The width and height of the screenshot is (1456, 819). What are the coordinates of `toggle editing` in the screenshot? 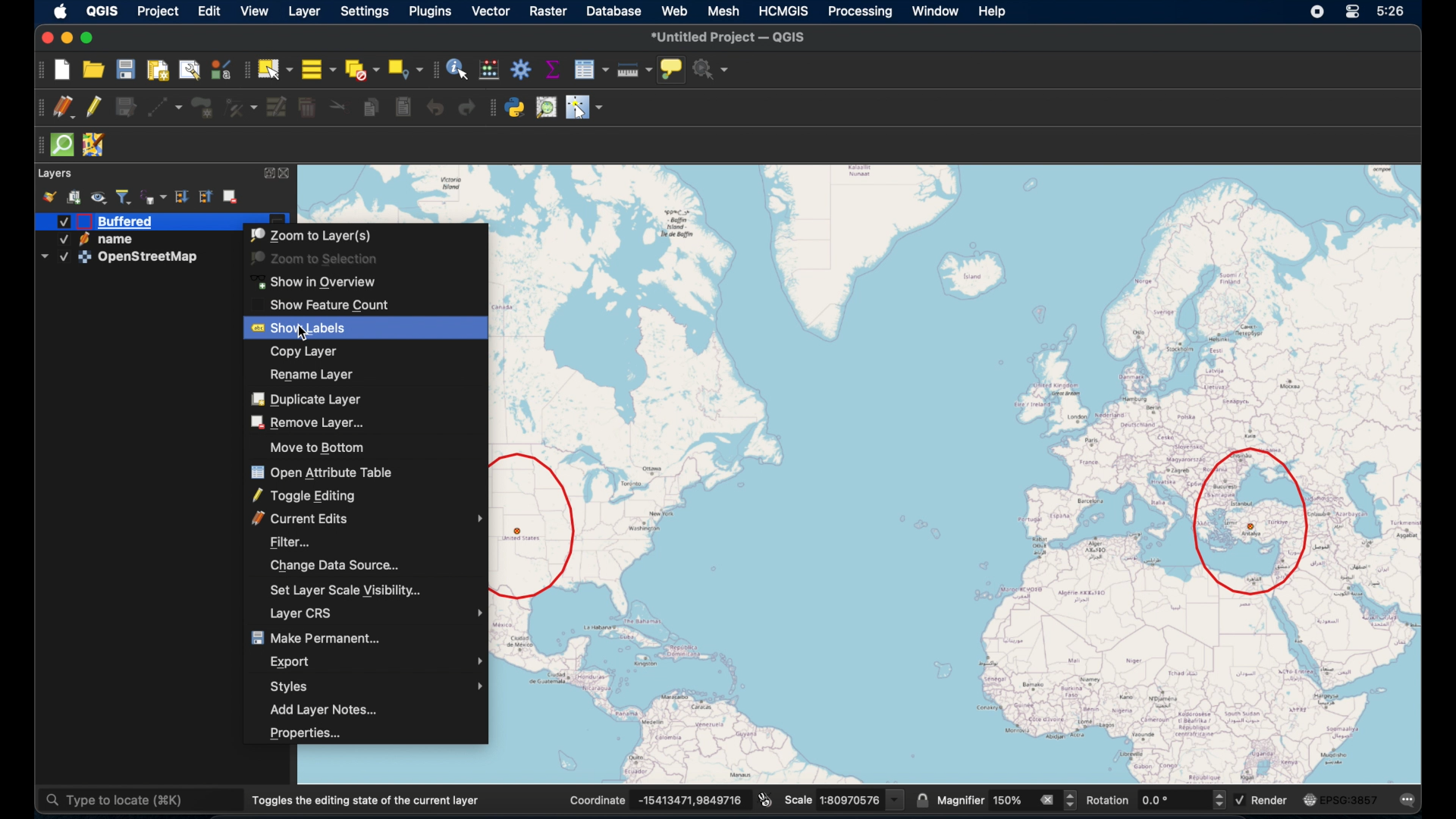 It's located at (95, 106).